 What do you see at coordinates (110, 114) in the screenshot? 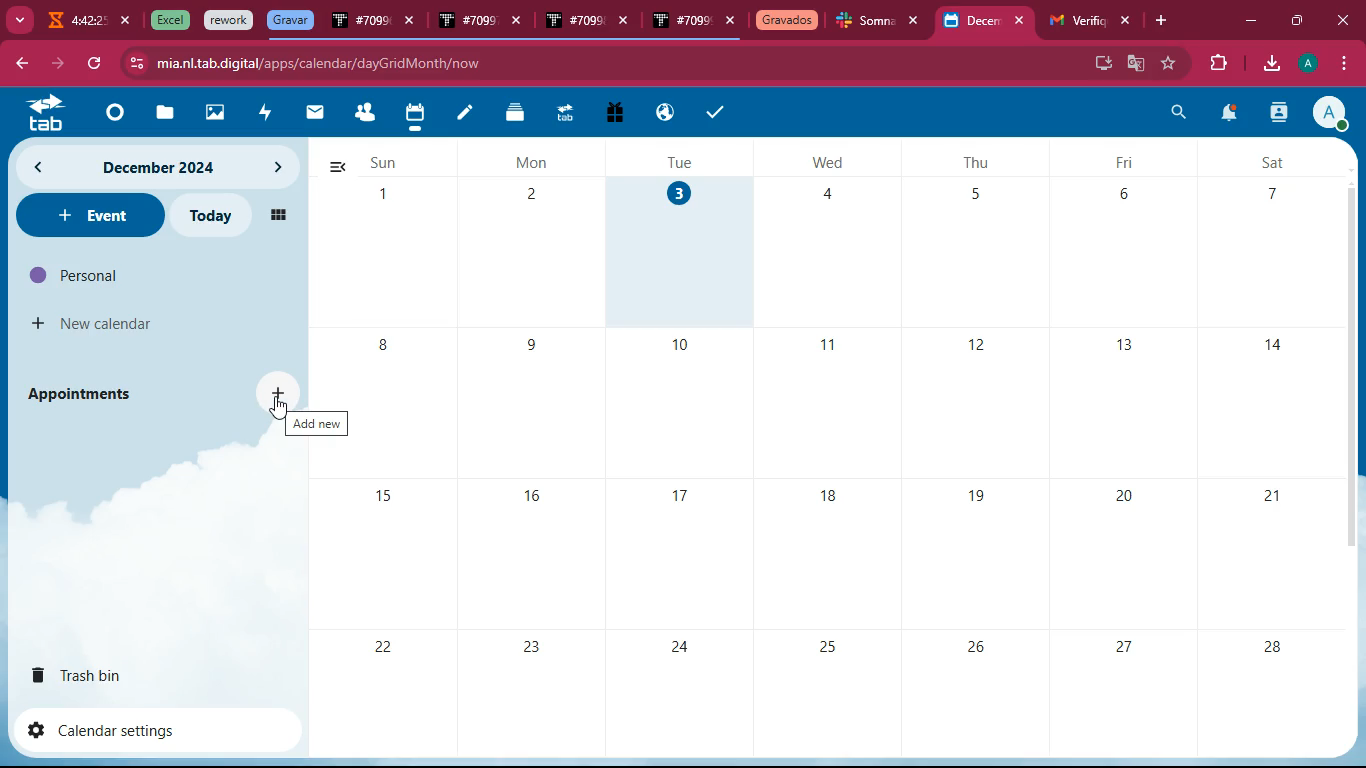
I see `beginning` at bounding box center [110, 114].